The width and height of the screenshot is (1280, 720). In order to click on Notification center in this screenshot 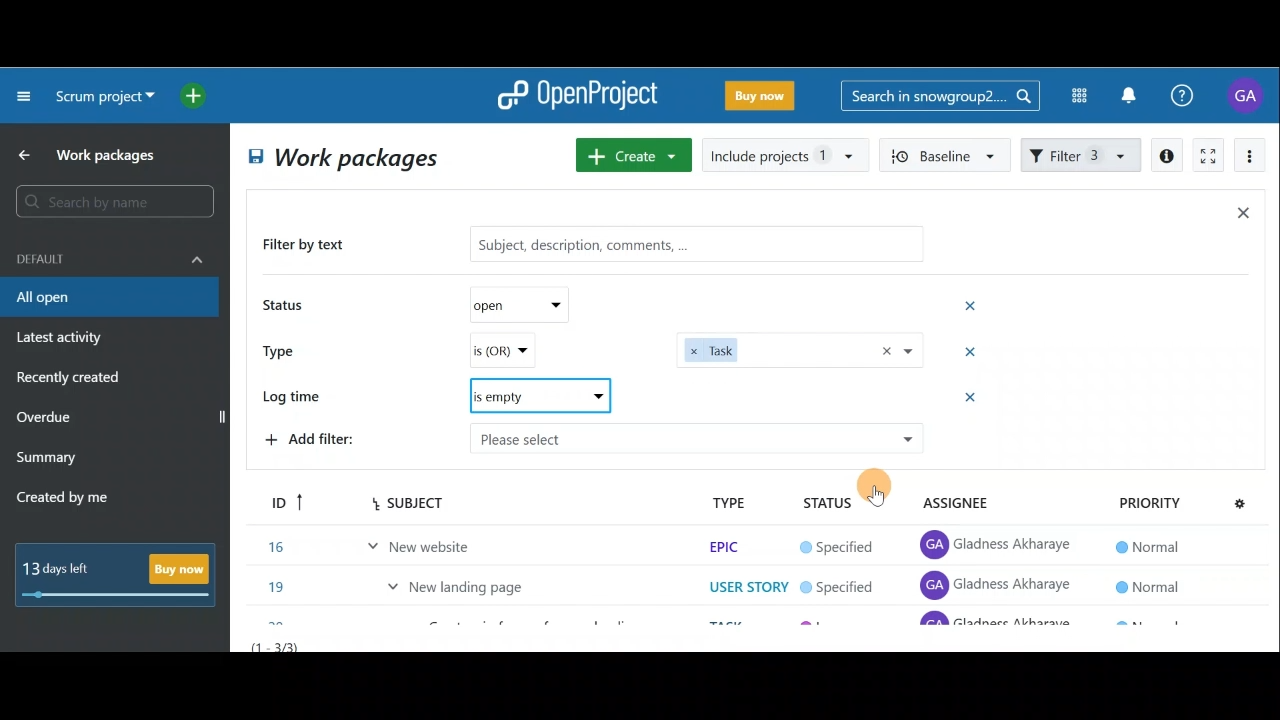, I will do `click(1131, 93)`.